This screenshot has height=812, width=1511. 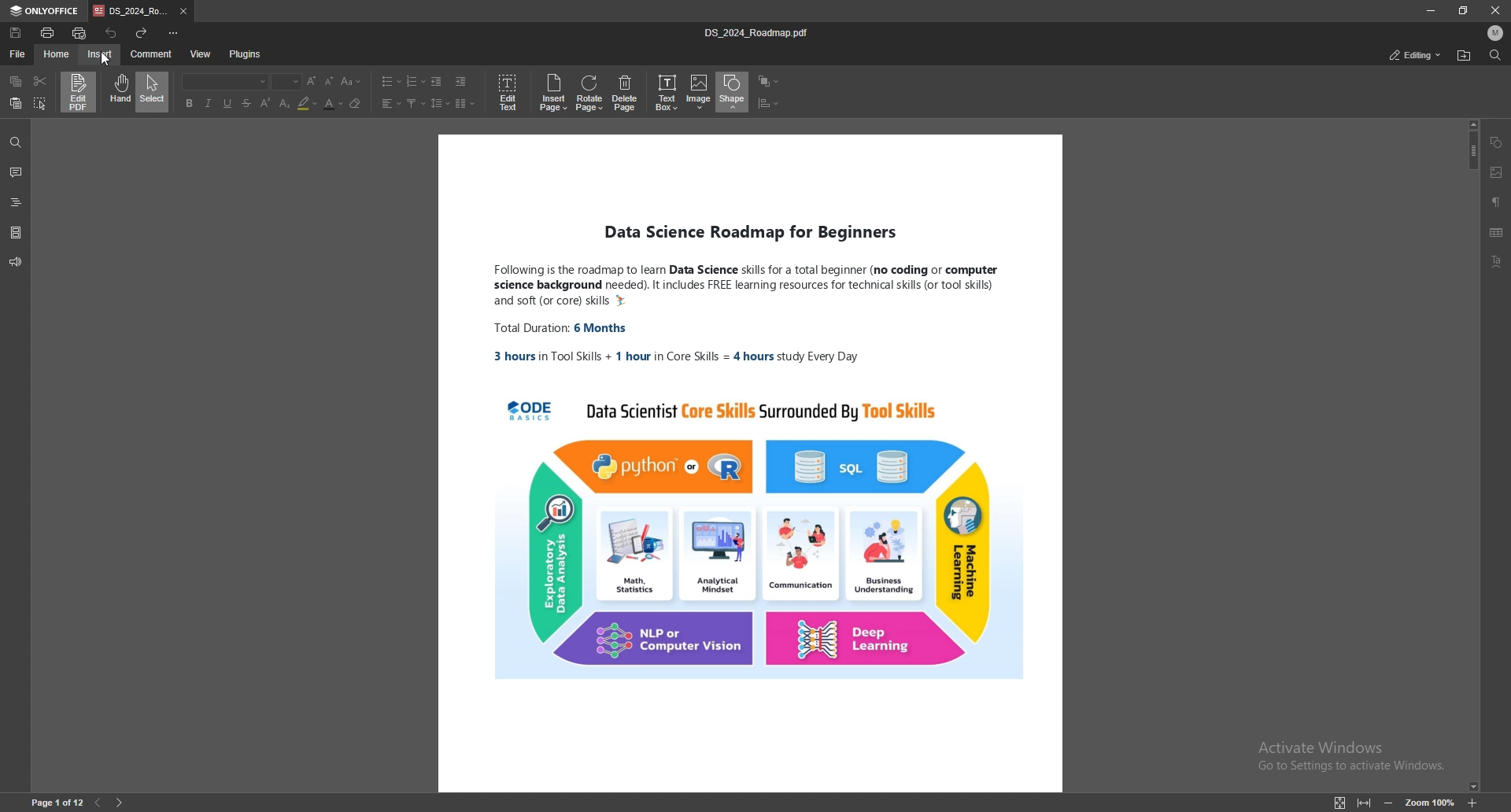 I want to click on close, so click(x=1495, y=9).